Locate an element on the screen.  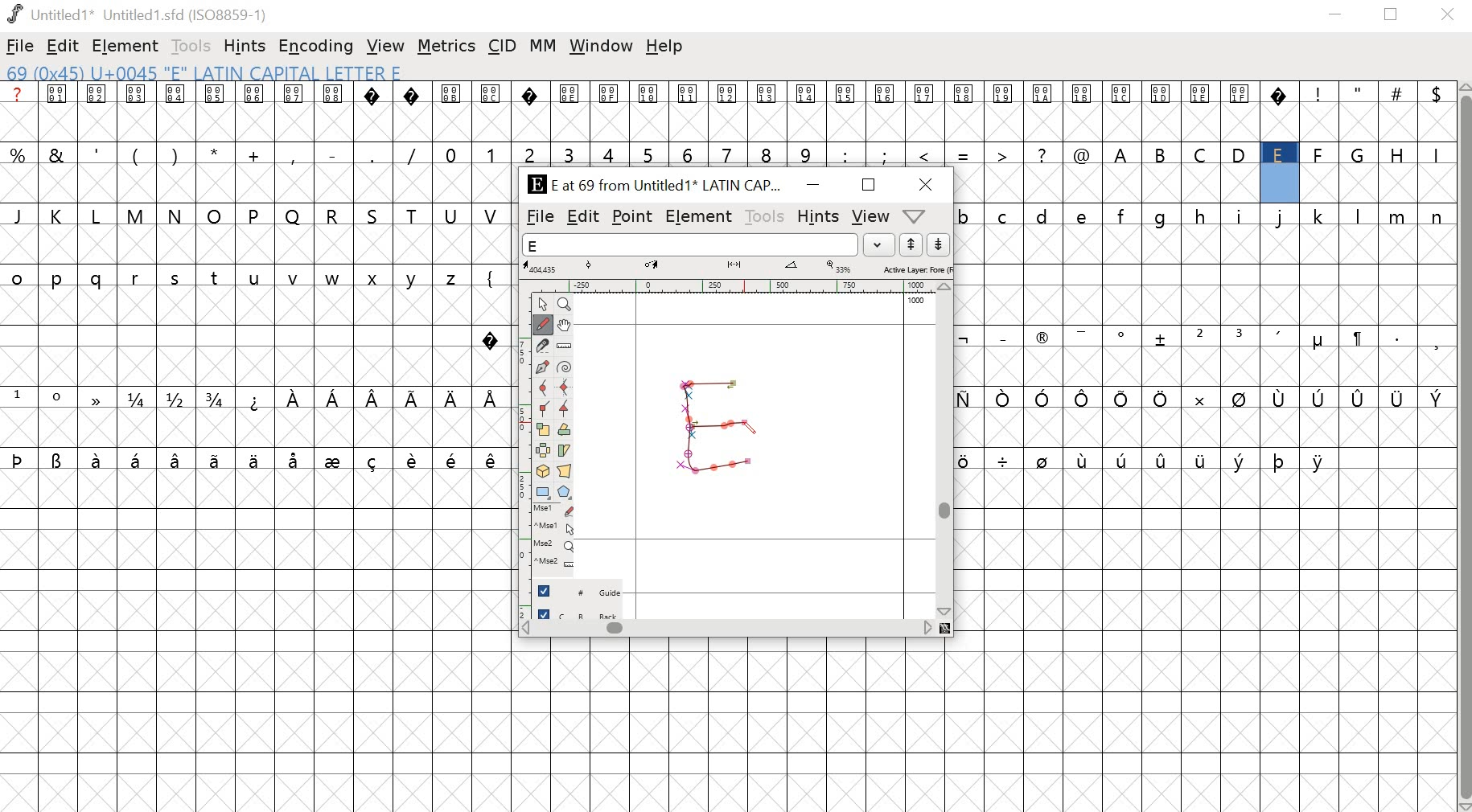
Corner is located at coordinates (543, 409).